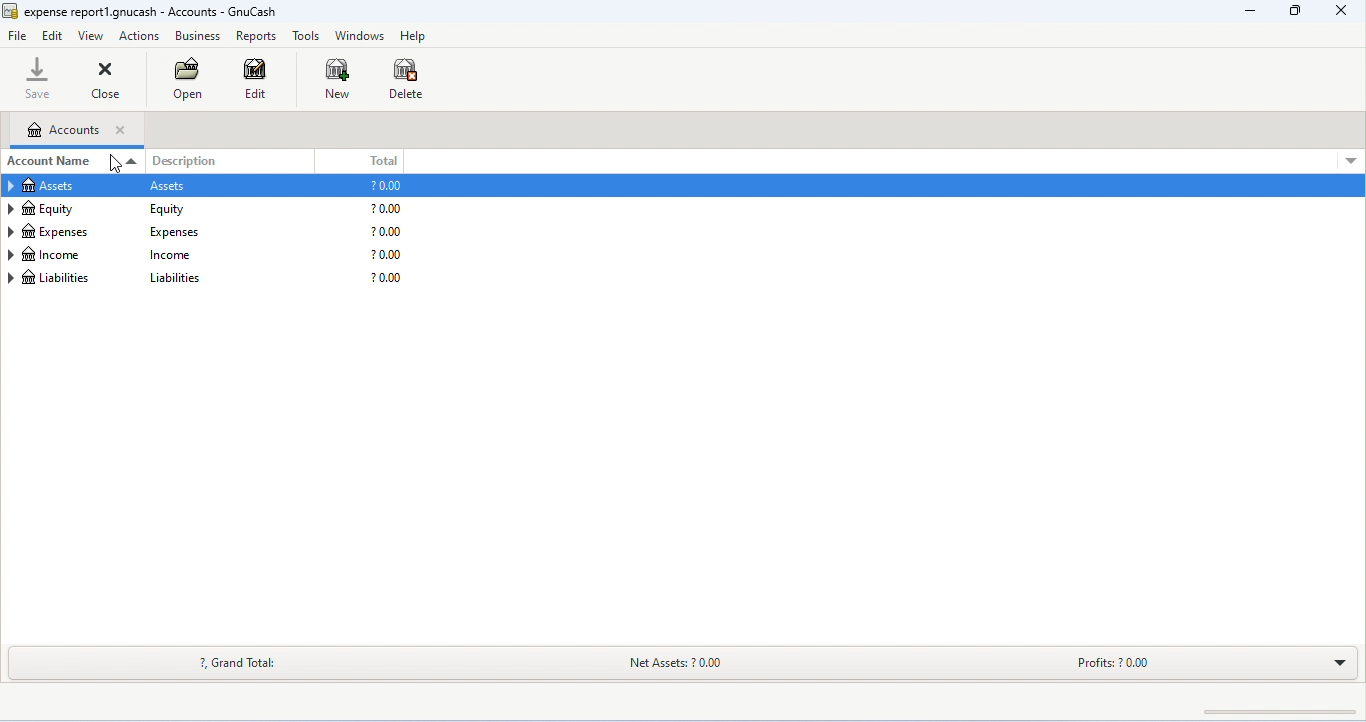  What do you see at coordinates (1118, 665) in the screenshot?
I see `profits` at bounding box center [1118, 665].